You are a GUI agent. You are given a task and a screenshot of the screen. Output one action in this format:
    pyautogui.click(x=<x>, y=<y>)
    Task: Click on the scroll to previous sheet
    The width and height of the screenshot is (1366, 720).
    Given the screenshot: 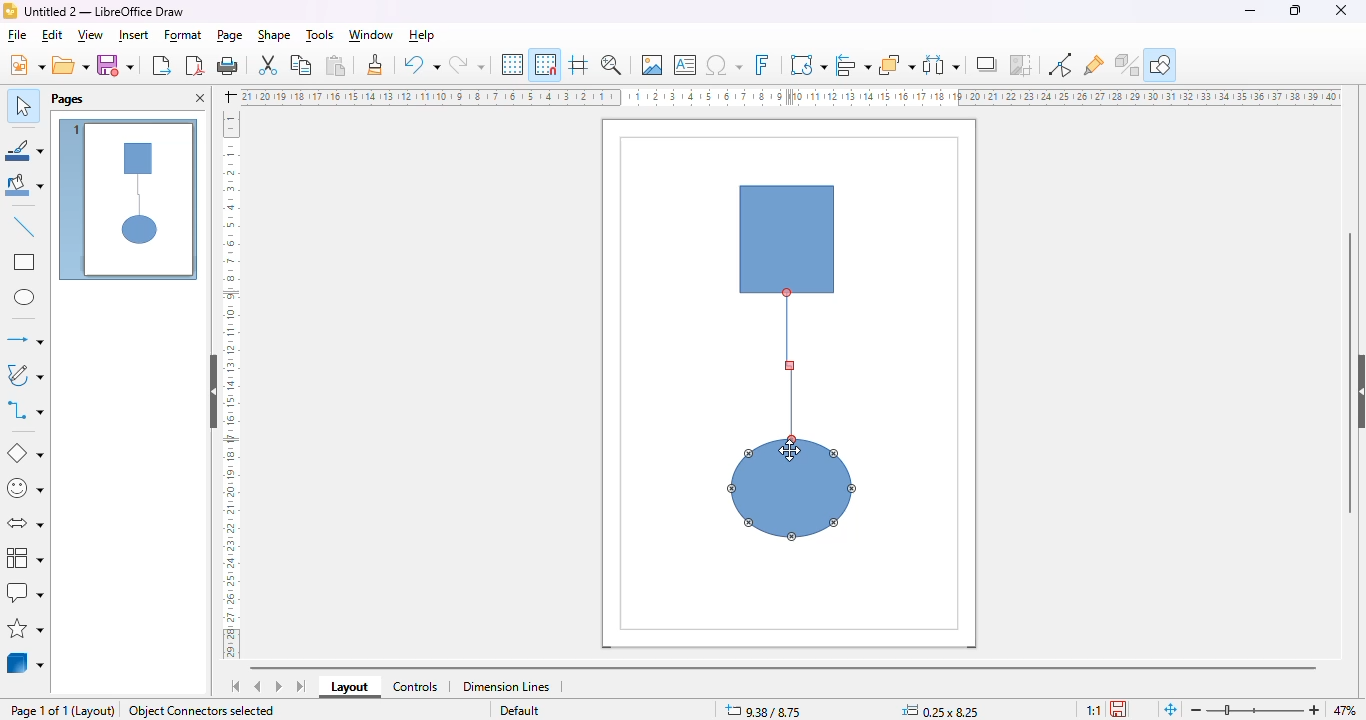 What is the action you would take?
    pyautogui.click(x=258, y=686)
    